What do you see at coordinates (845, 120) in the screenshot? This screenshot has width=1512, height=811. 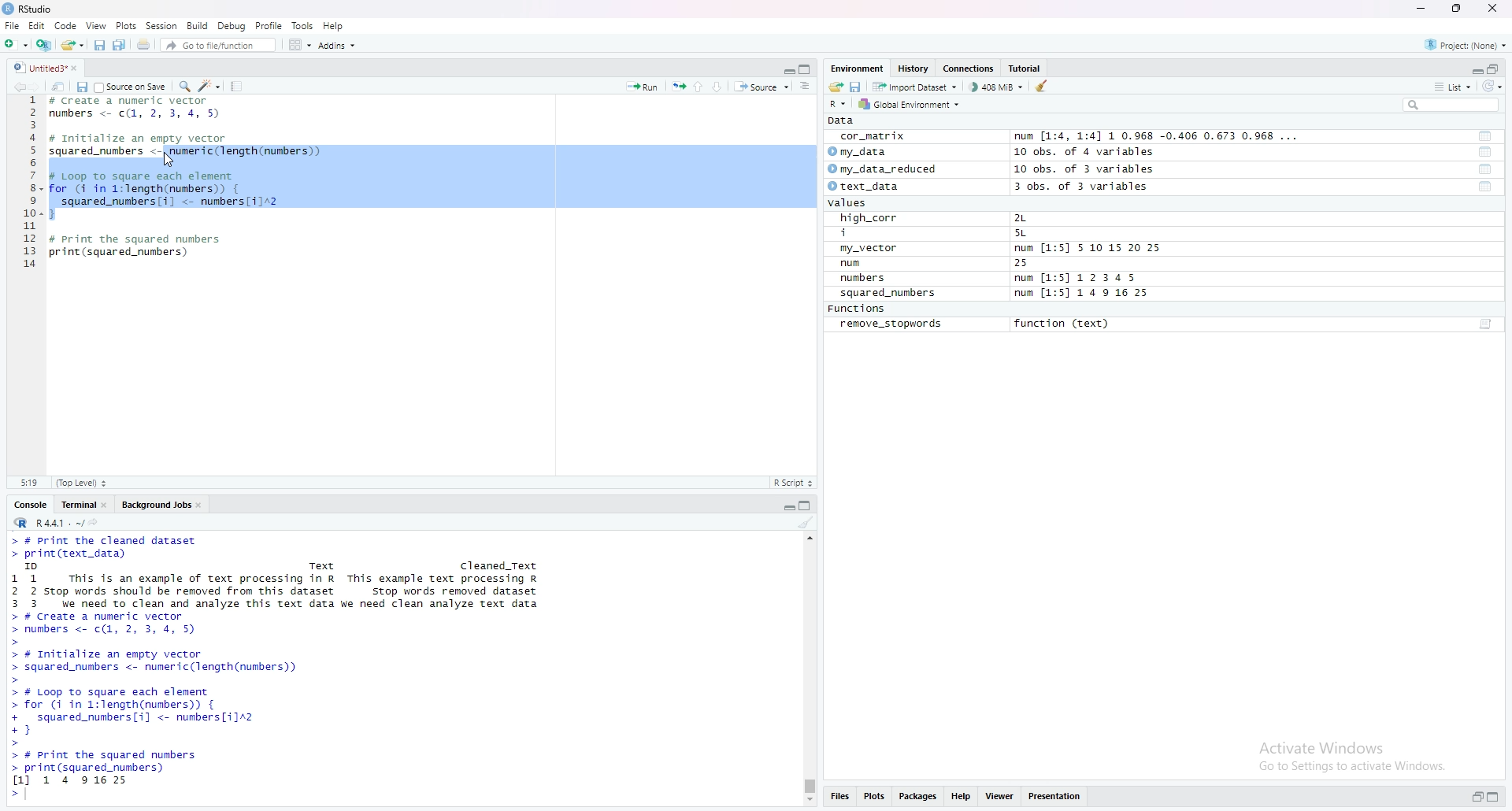 I see `pata` at bounding box center [845, 120].